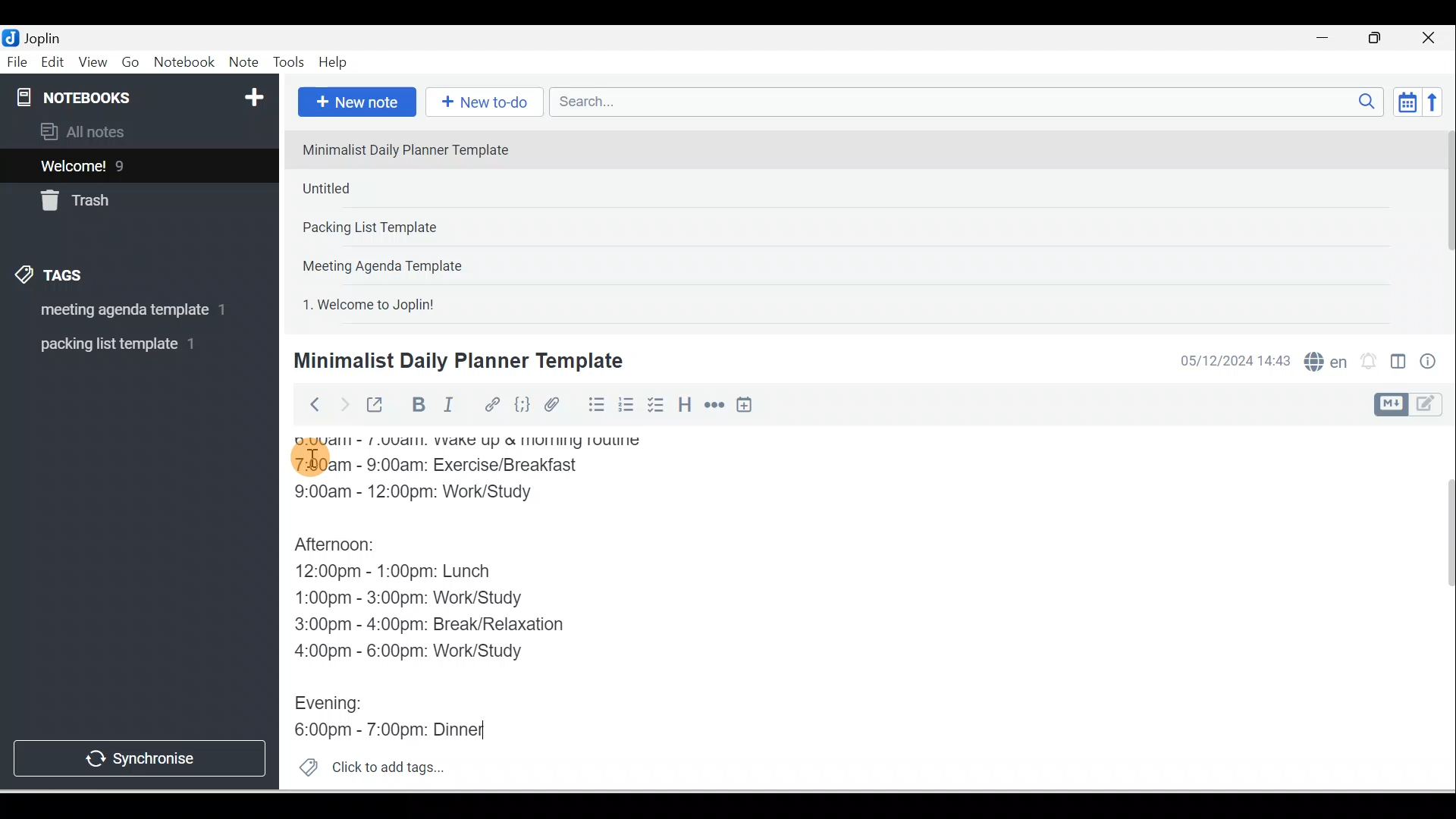 The width and height of the screenshot is (1456, 819). I want to click on Set alarm, so click(1367, 362).